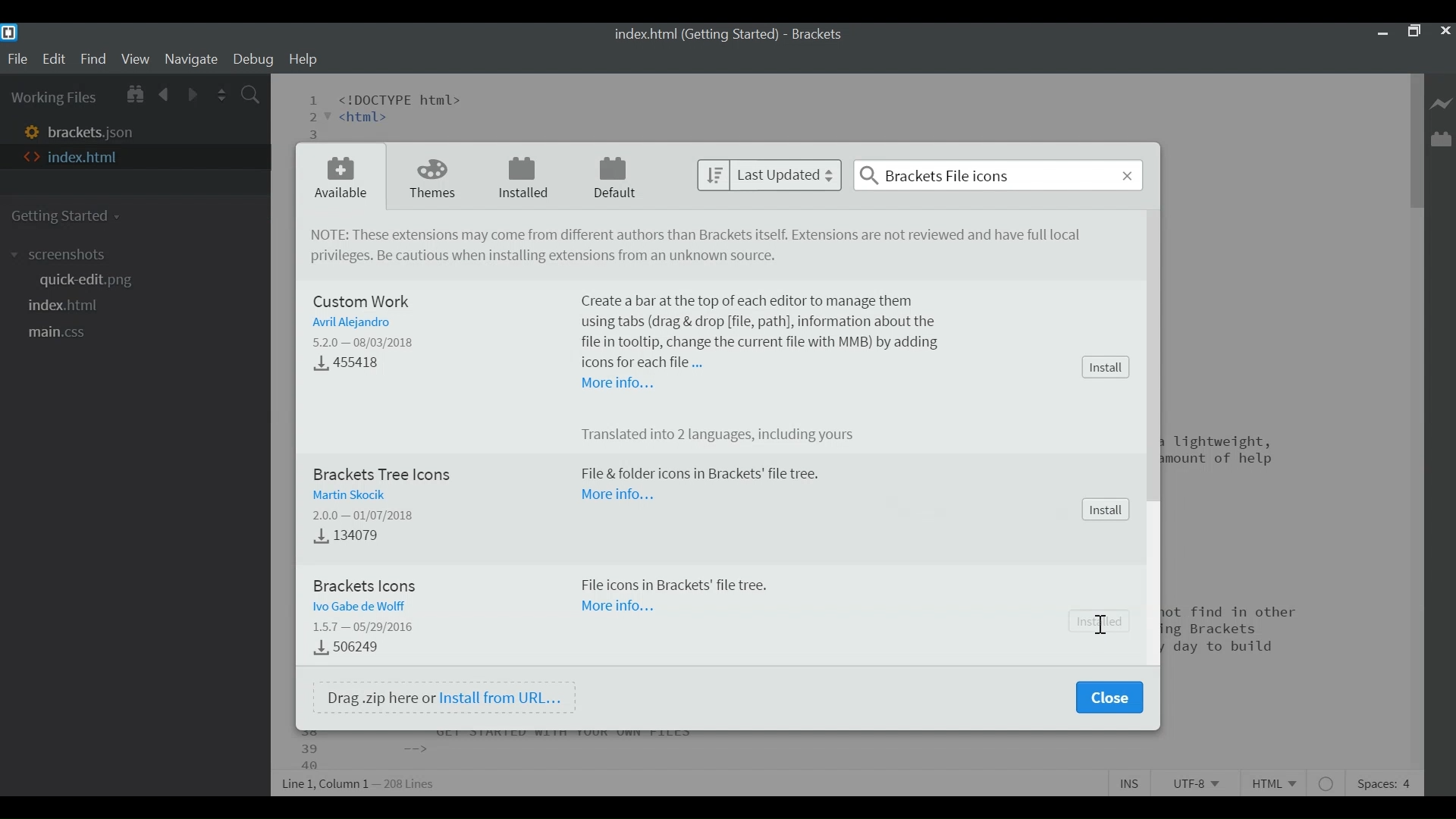  What do you see at coordinates (763, 329) in the screenshot?
I see `Create a bar at the top of each editor to manage them using tabs, information about the file tooltip` at bounding box center [763, 329].